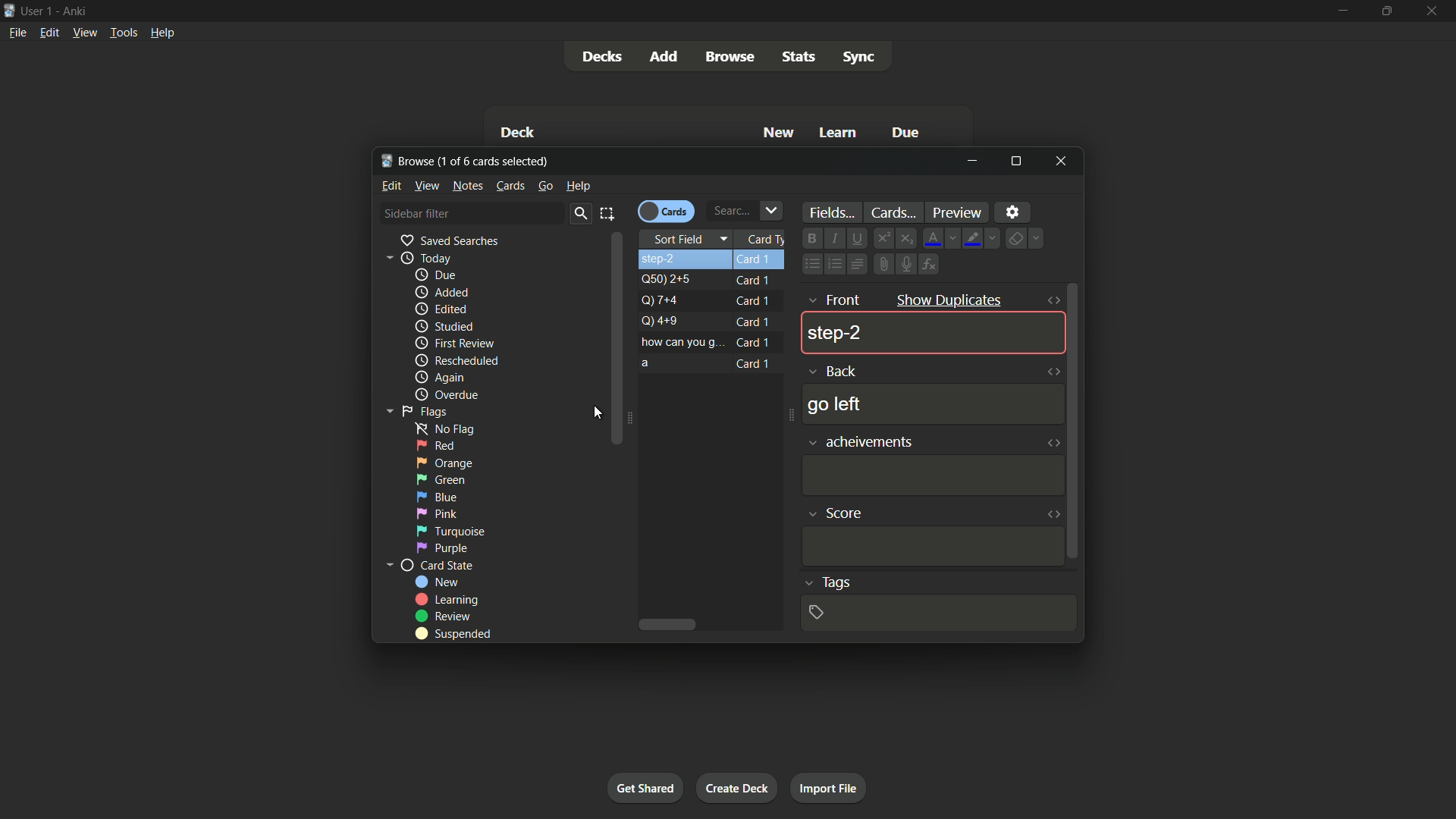  I want to click on Saved searches, so click(448, 240).